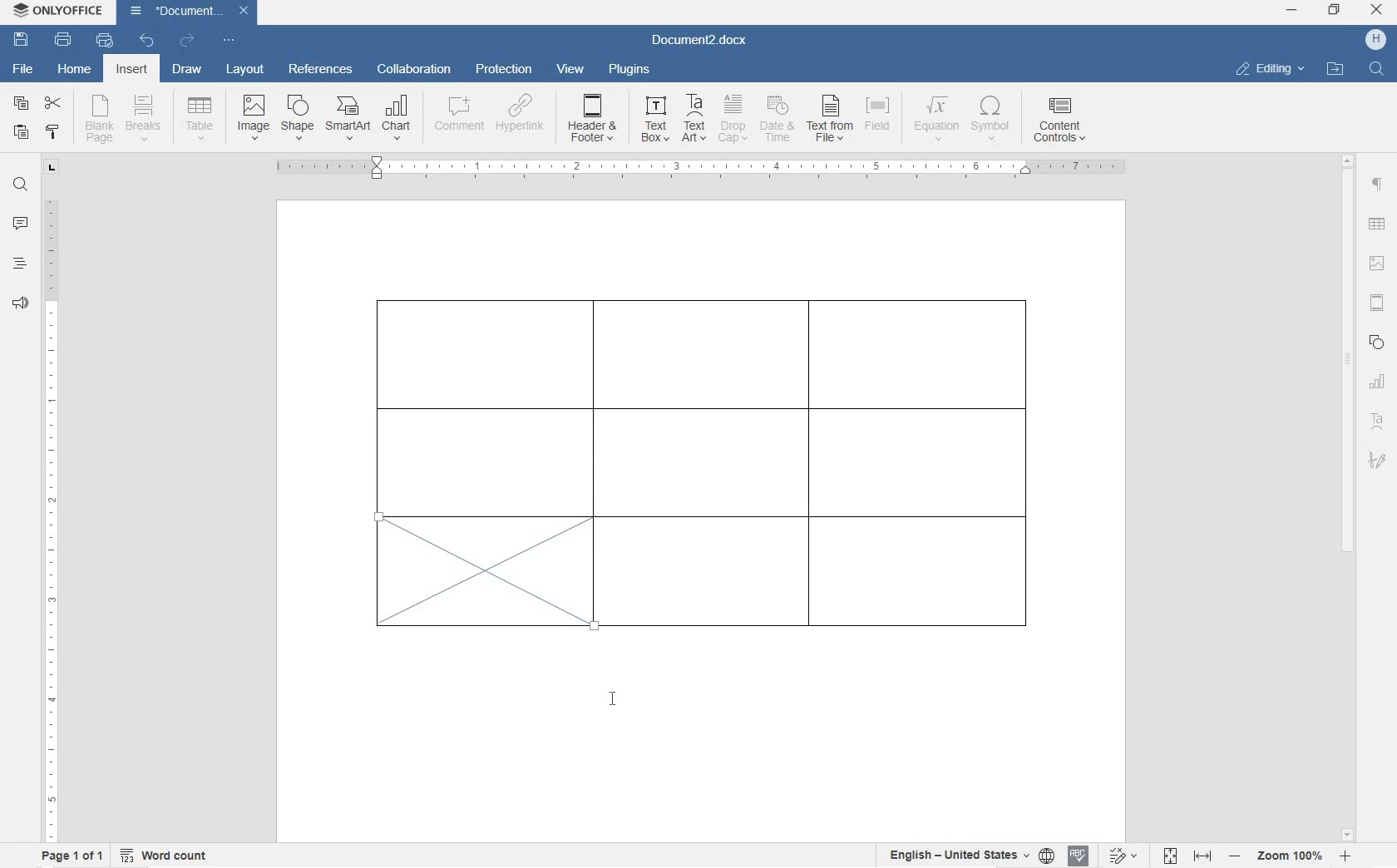 The width and height of the screenshot is (1397, 868). What do you see at coordinates (146, 41) in the screenshot?
I see `undo` at bounding box center [146, 41].